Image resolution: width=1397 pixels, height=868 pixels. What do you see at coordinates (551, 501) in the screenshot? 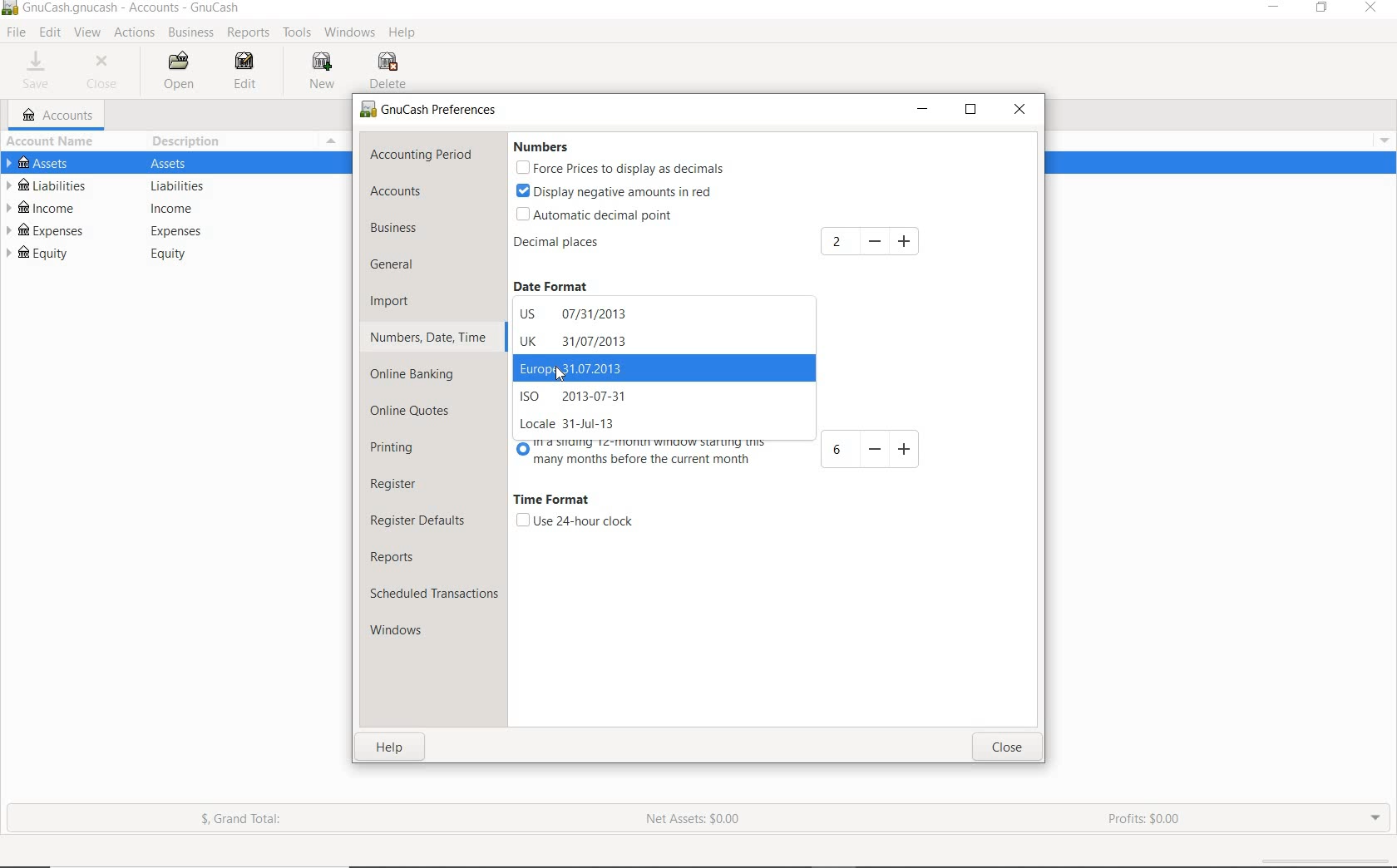
I see `Time format` at bounding box center [551, 501].